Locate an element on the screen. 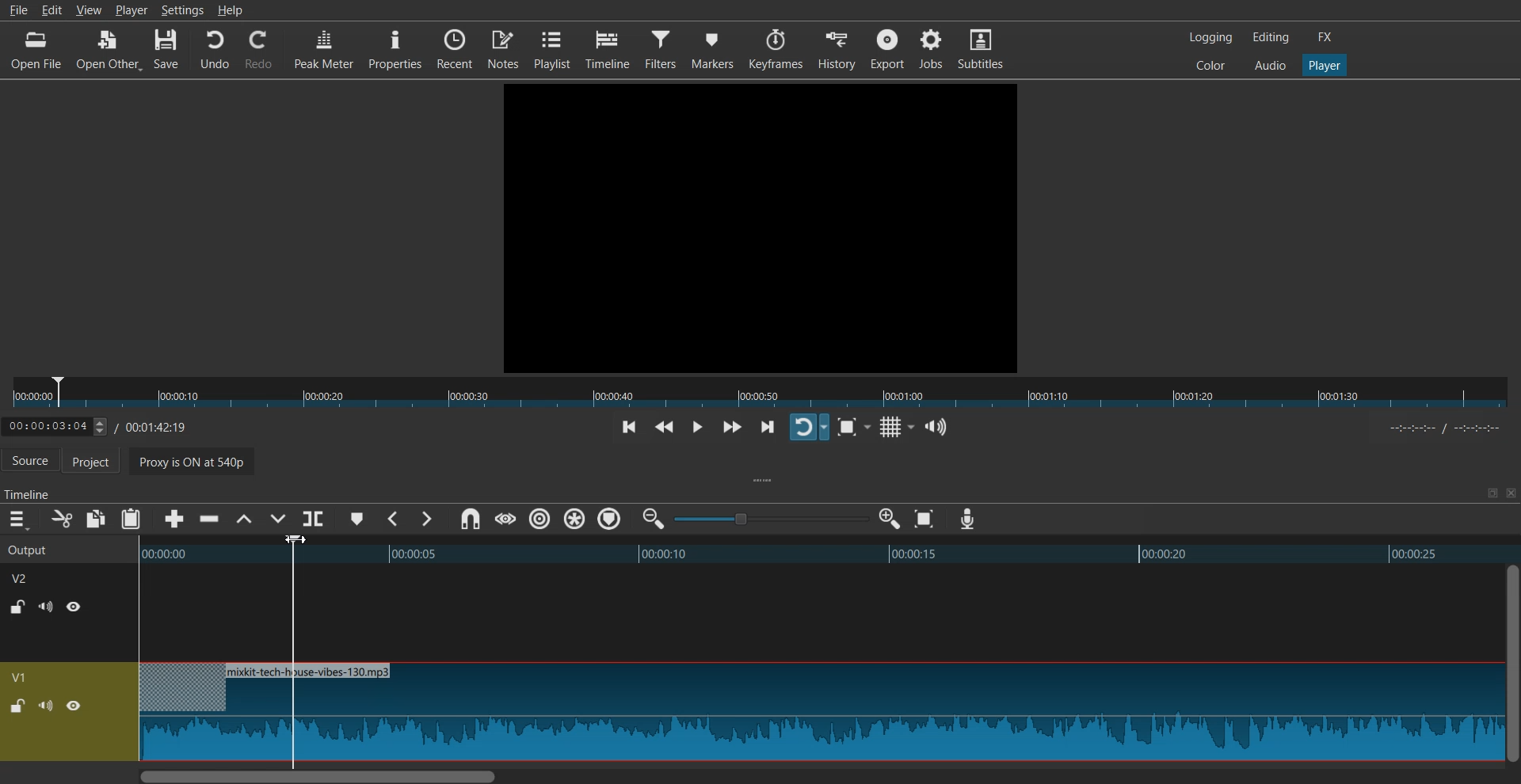 Image resolution: width=1521 pixels, height=784 pixels. Edit is located at coordinates (54, 9).